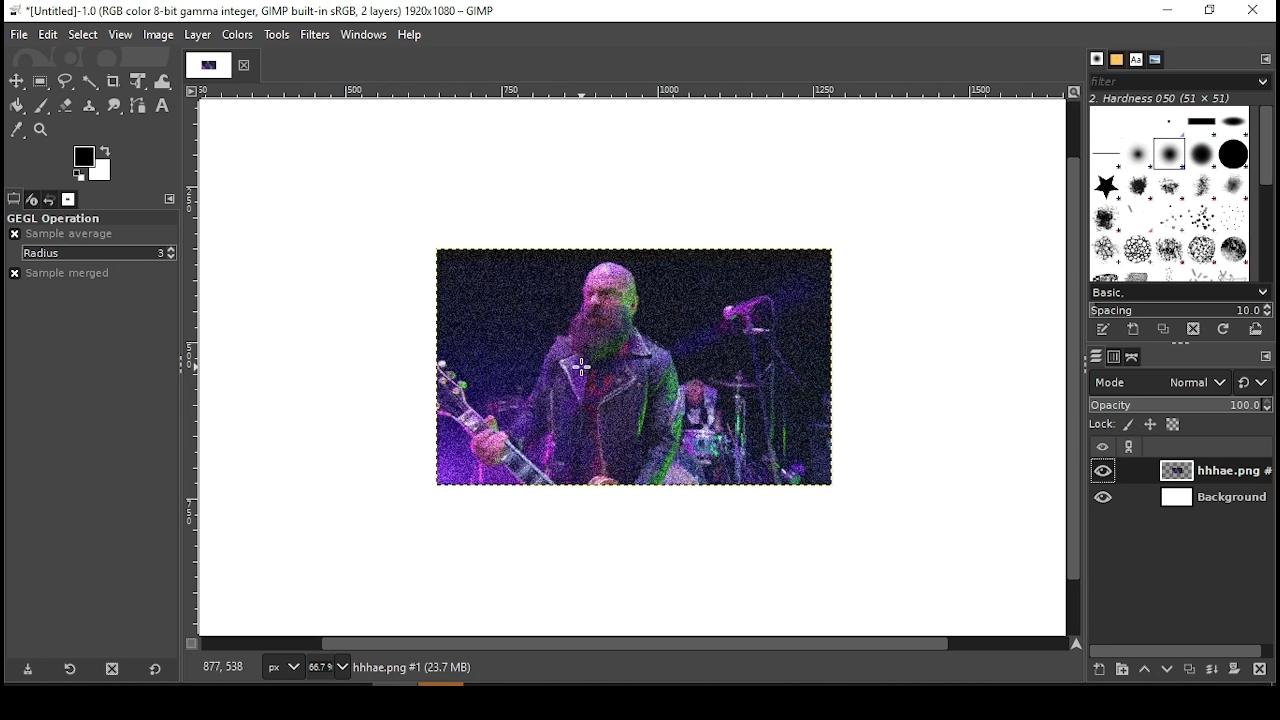 The image size is (1280, 720). I want to click on fonts, so click(1136, 59).